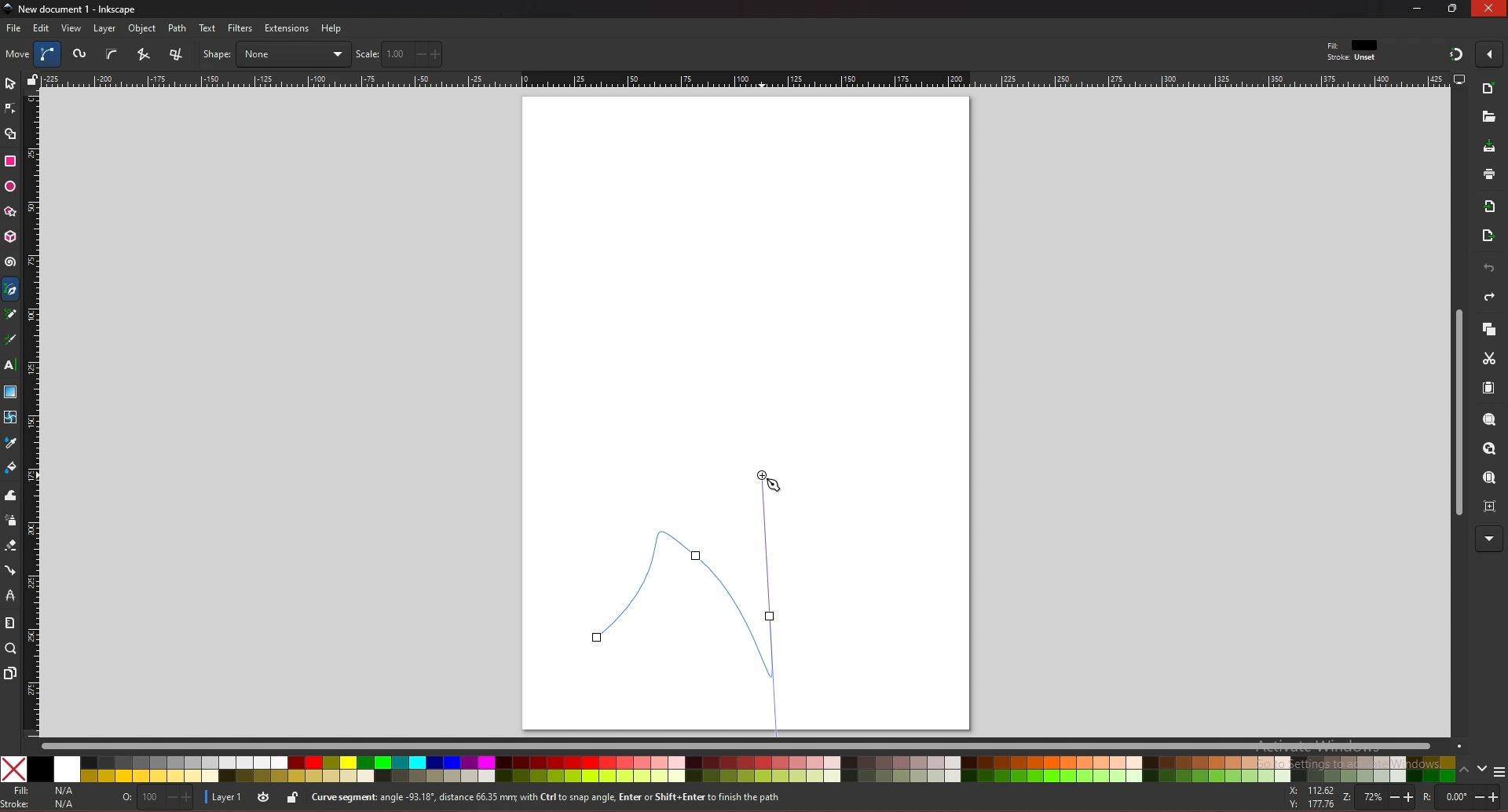 Image resolution: width=1508 pixels, height=812 pixels. Describe the element at coordinates (1491, 421) in the screenshot. I see `zoom selection` at that location.